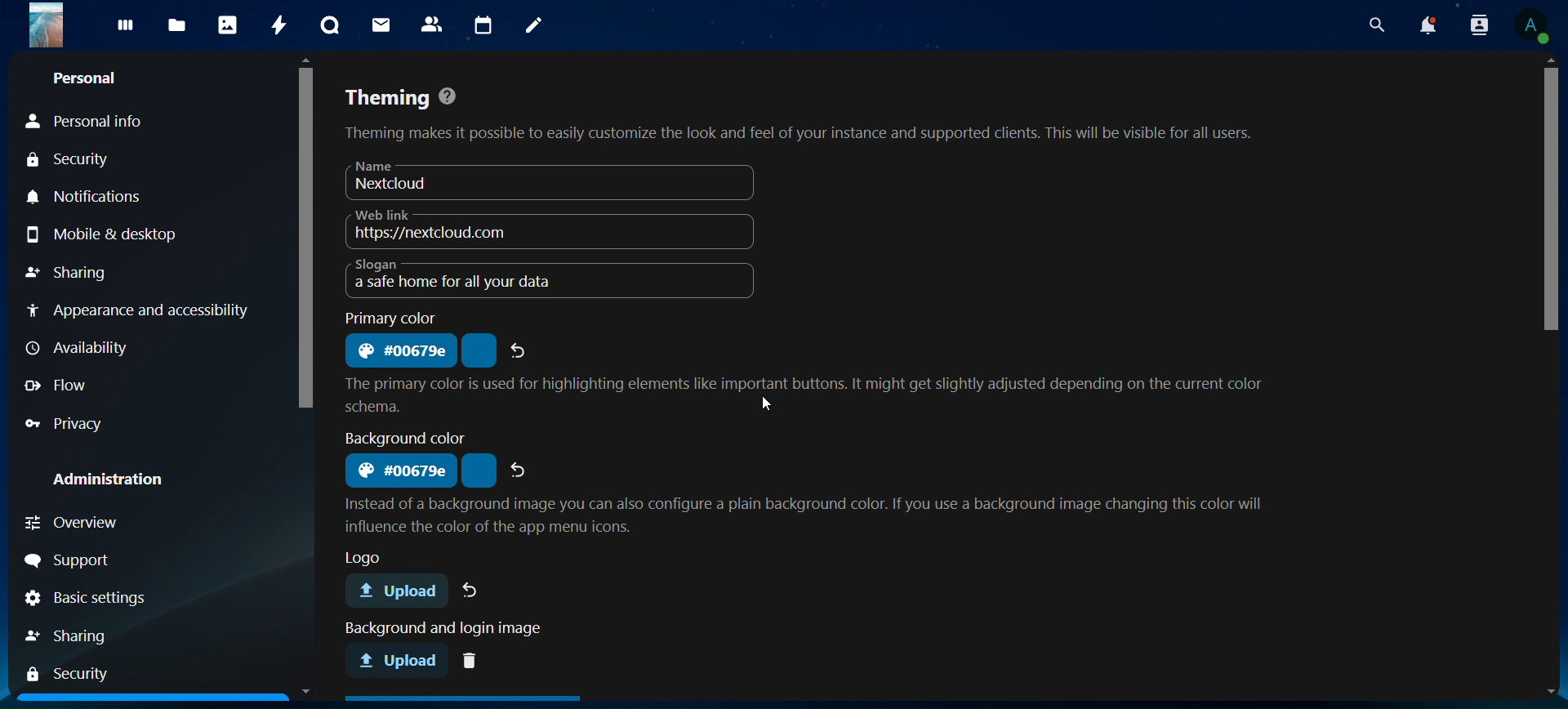 This screenshot has width=1568, height=709. Describe the element at coordinates (80, 635) in the screenshot. I see `sharing` at that location.